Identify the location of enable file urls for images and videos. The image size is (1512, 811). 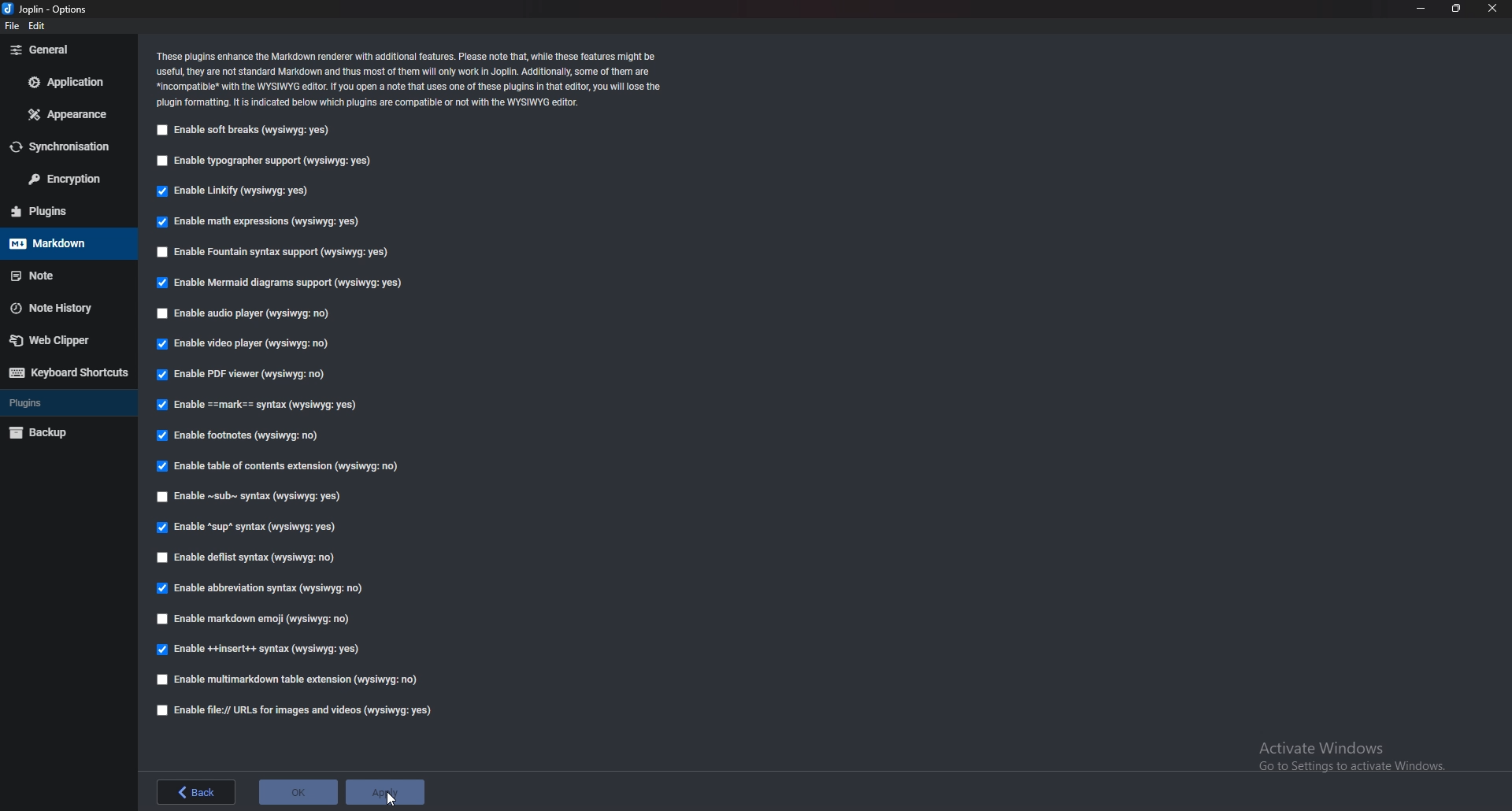
(299, 710).